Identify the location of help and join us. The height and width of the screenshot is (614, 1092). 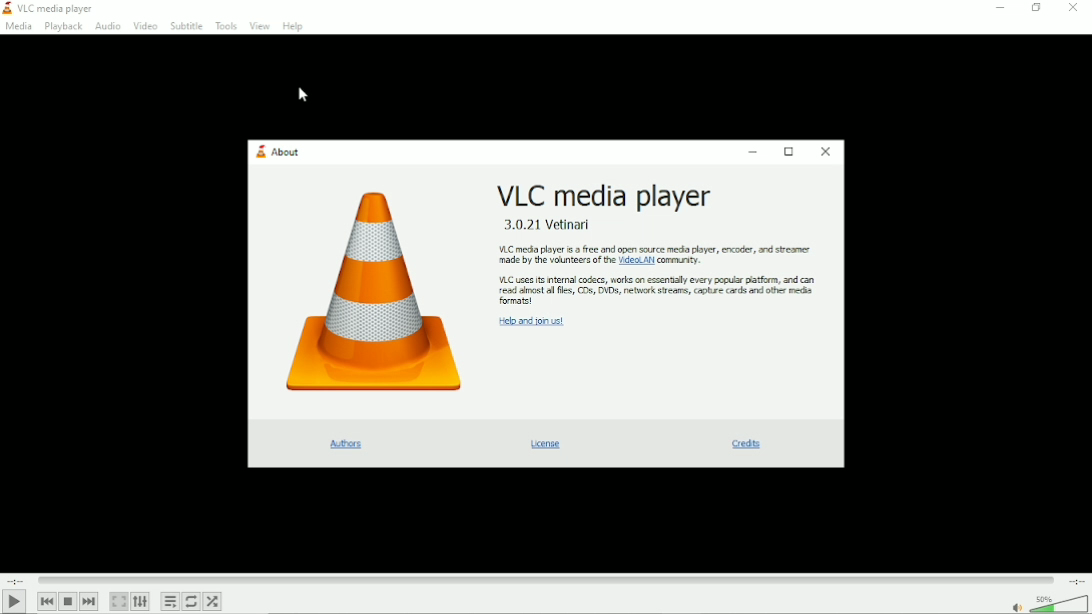
(531, 321).